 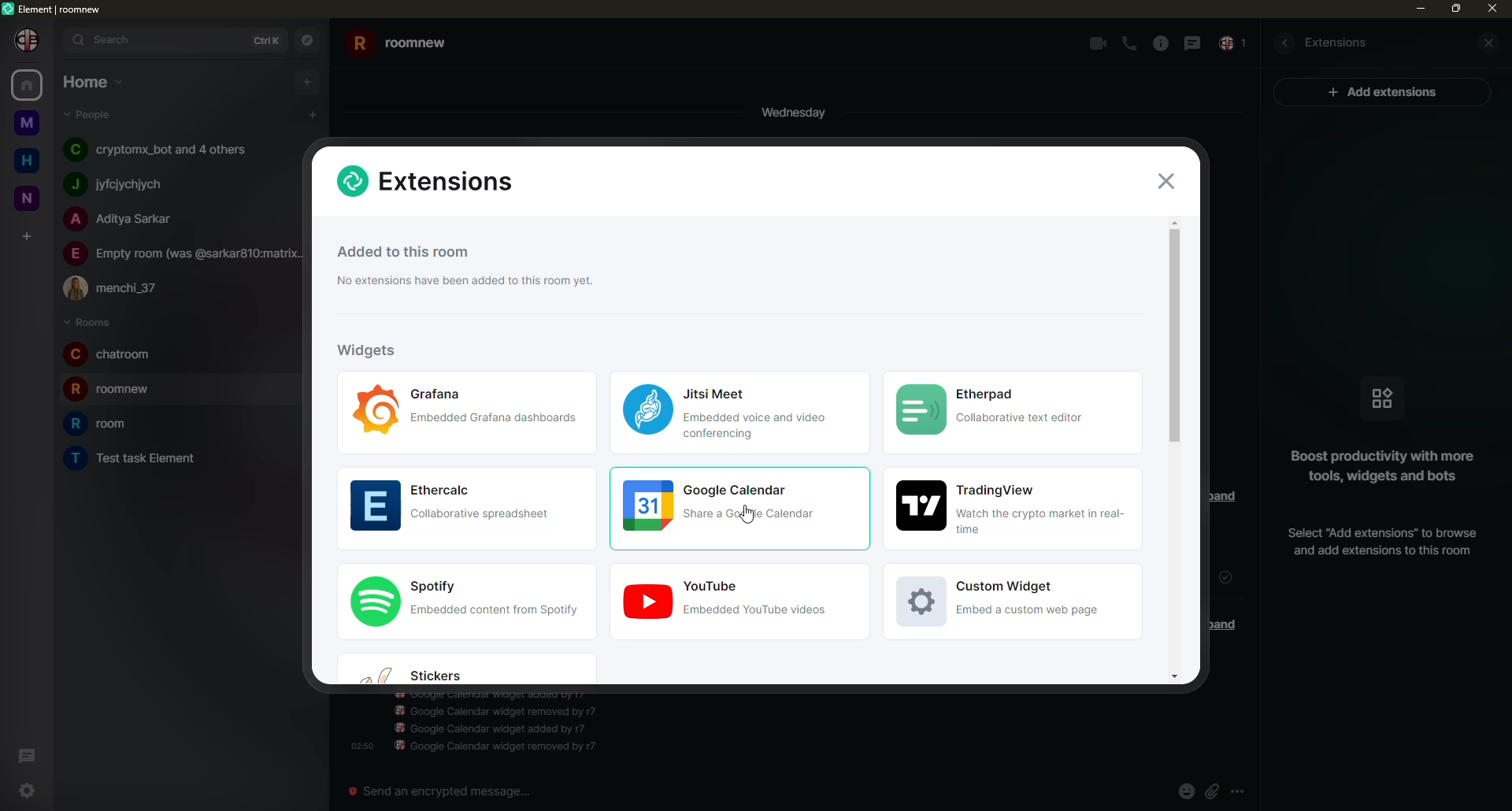 I want to click on widgets, so click(x=461, y=505).